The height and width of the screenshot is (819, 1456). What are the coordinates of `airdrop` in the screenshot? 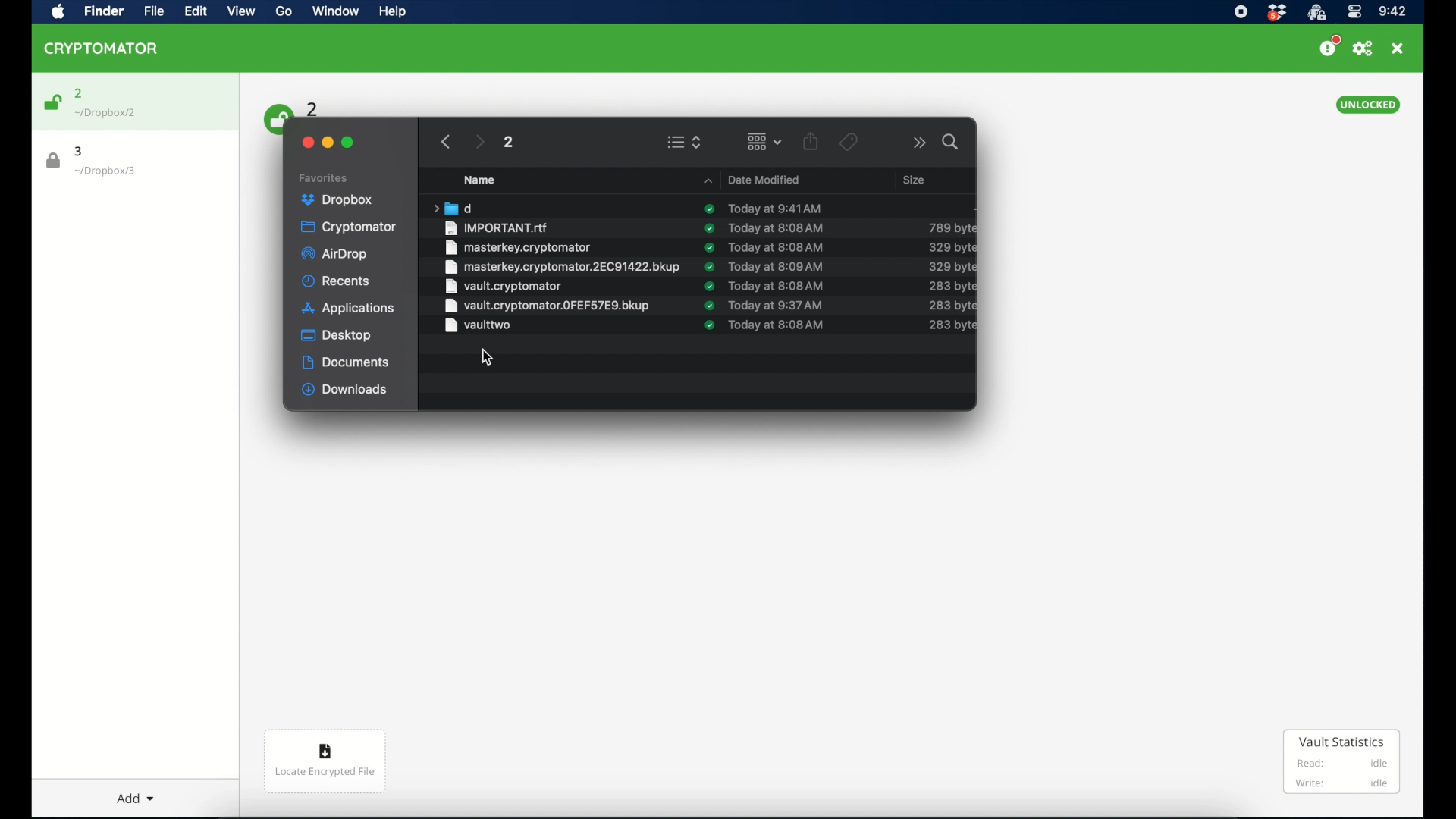 It's located at (334, 254).